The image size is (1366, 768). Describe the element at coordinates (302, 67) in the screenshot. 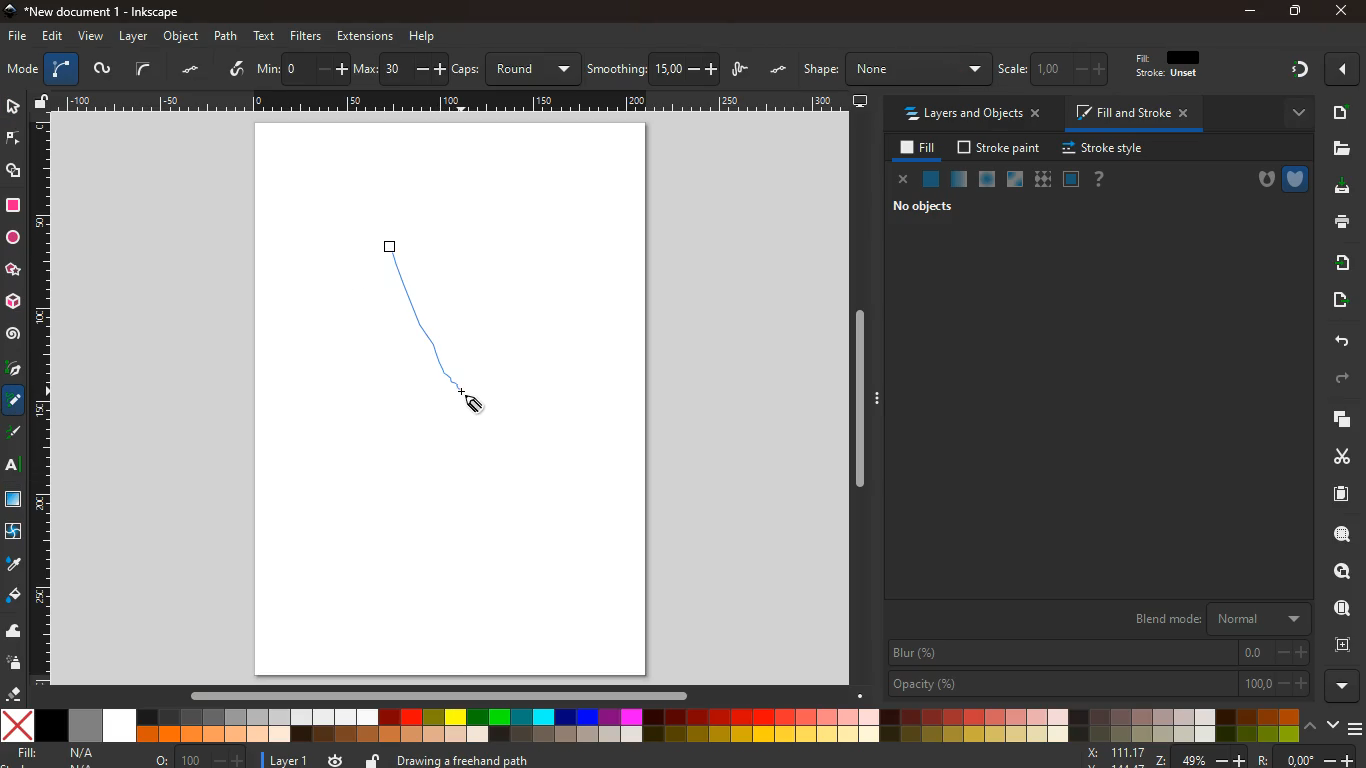

I see `min` at that location.